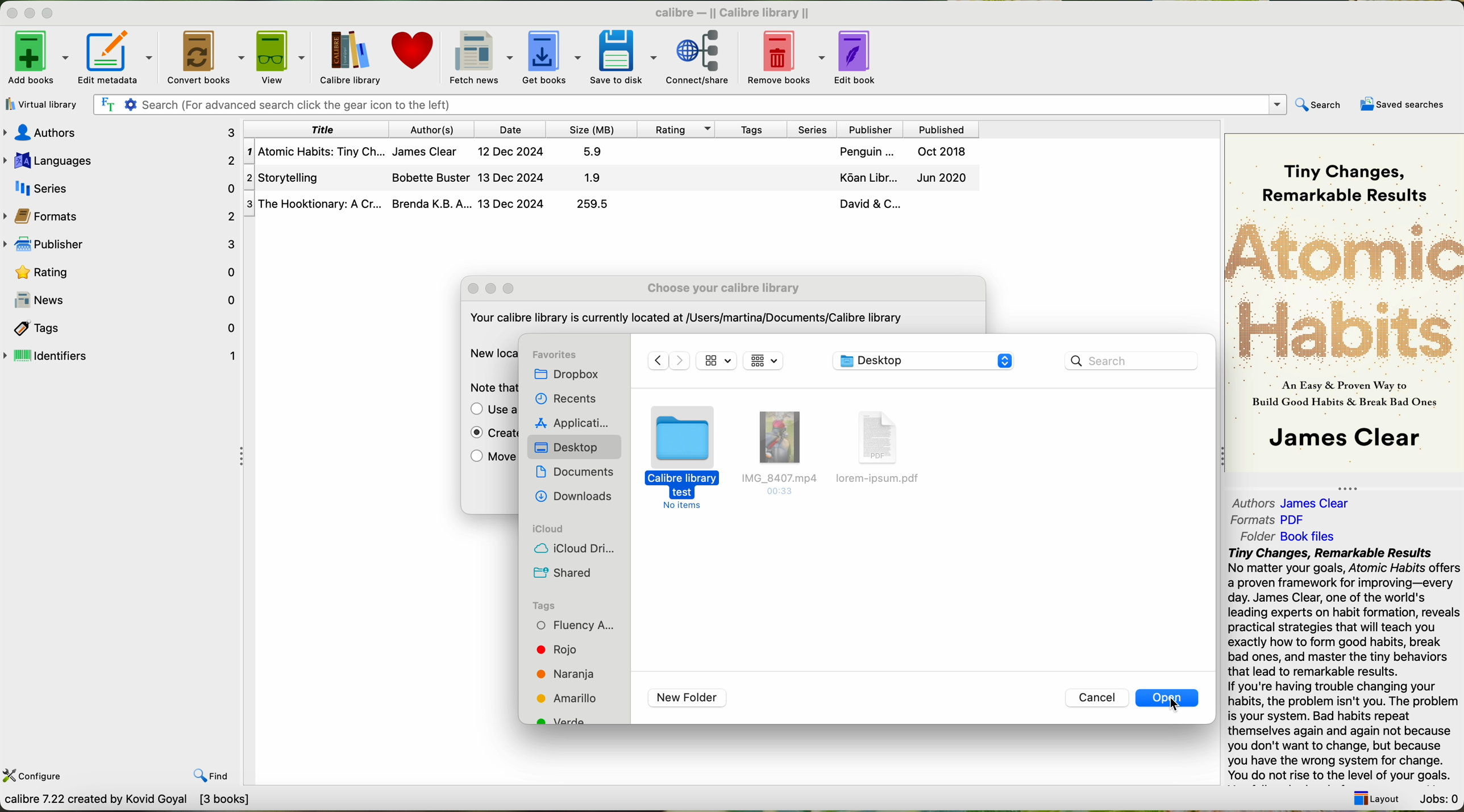 This screenshot has height=812, width=1464. What do you see at coordinates (809, 128) in the screenshot?
I see `series` at bounding box center [809, 128].